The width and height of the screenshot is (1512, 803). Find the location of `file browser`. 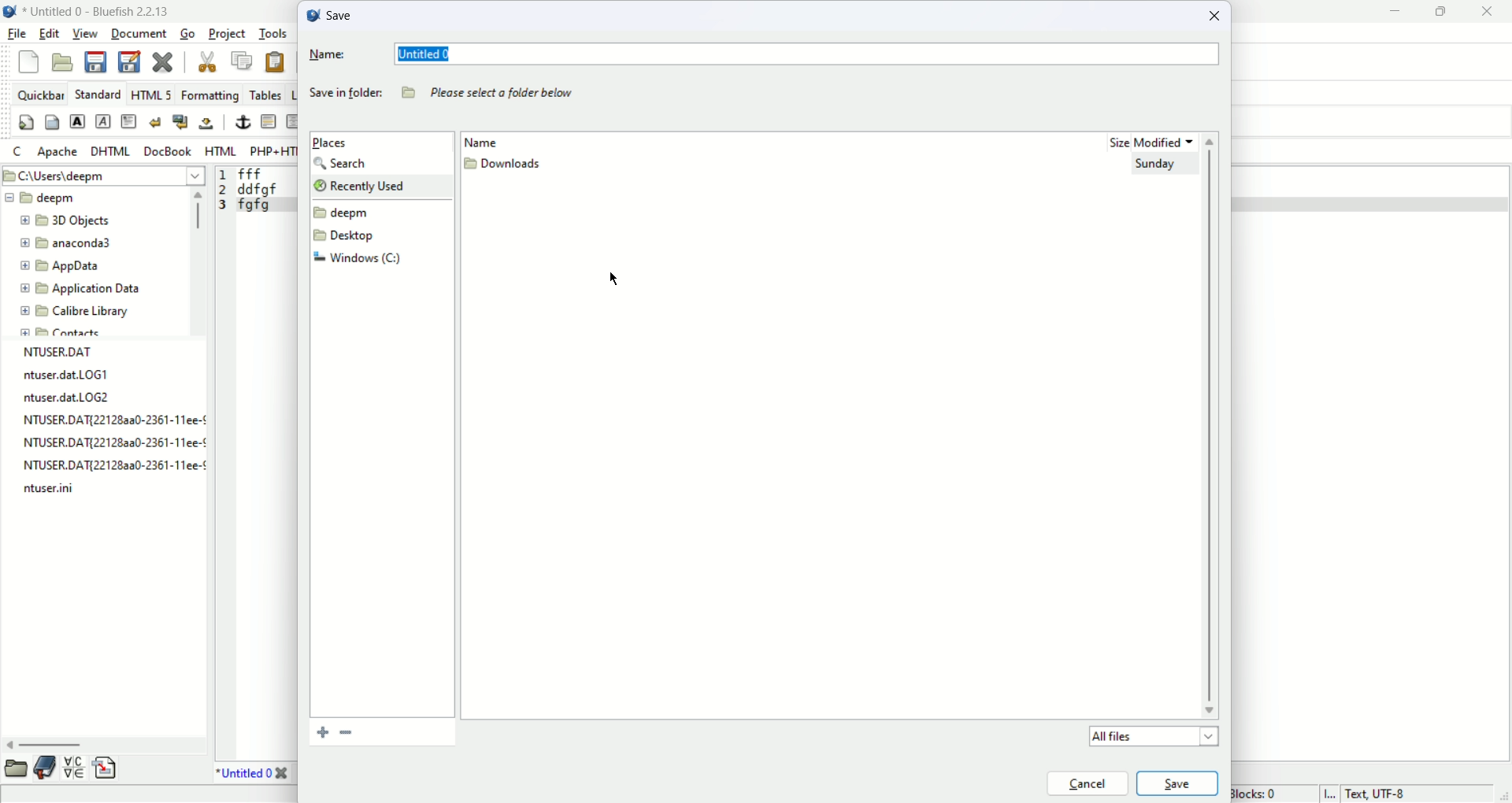

file browser is located at coordinates (15, 769).